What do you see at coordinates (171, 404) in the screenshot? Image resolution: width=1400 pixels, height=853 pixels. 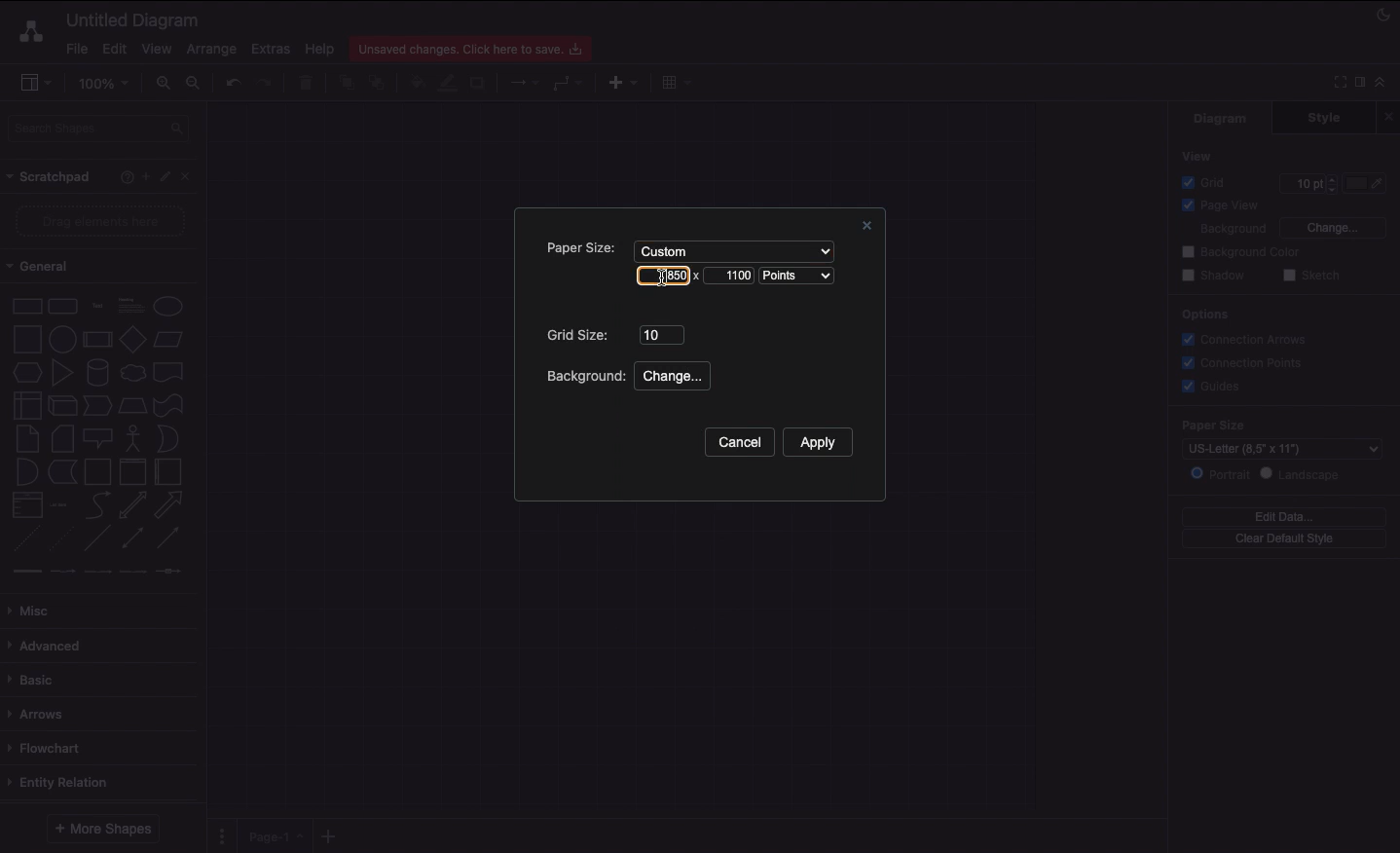 I see `Tape` at bounding box center [171, 404].